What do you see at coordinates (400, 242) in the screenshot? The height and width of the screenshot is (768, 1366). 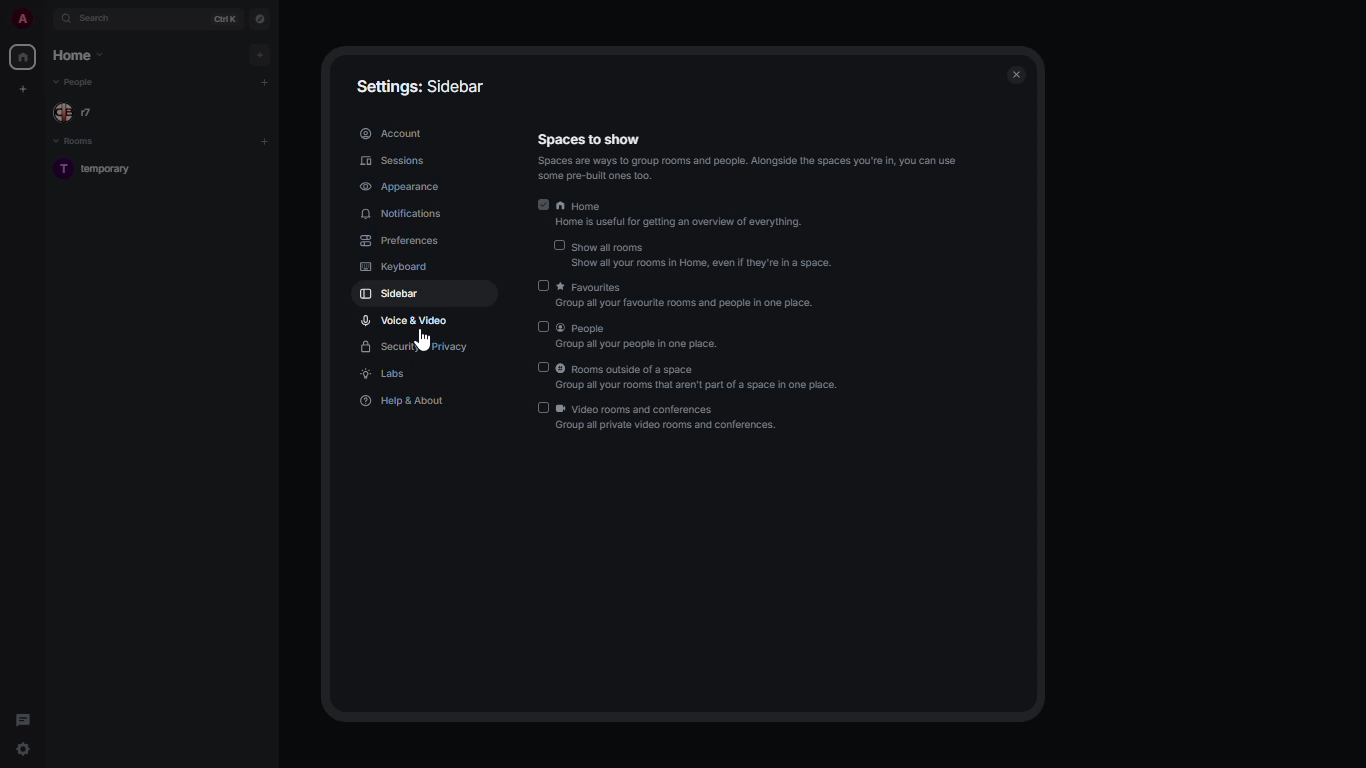 I see `preferences` at bounding box center [400, 242].